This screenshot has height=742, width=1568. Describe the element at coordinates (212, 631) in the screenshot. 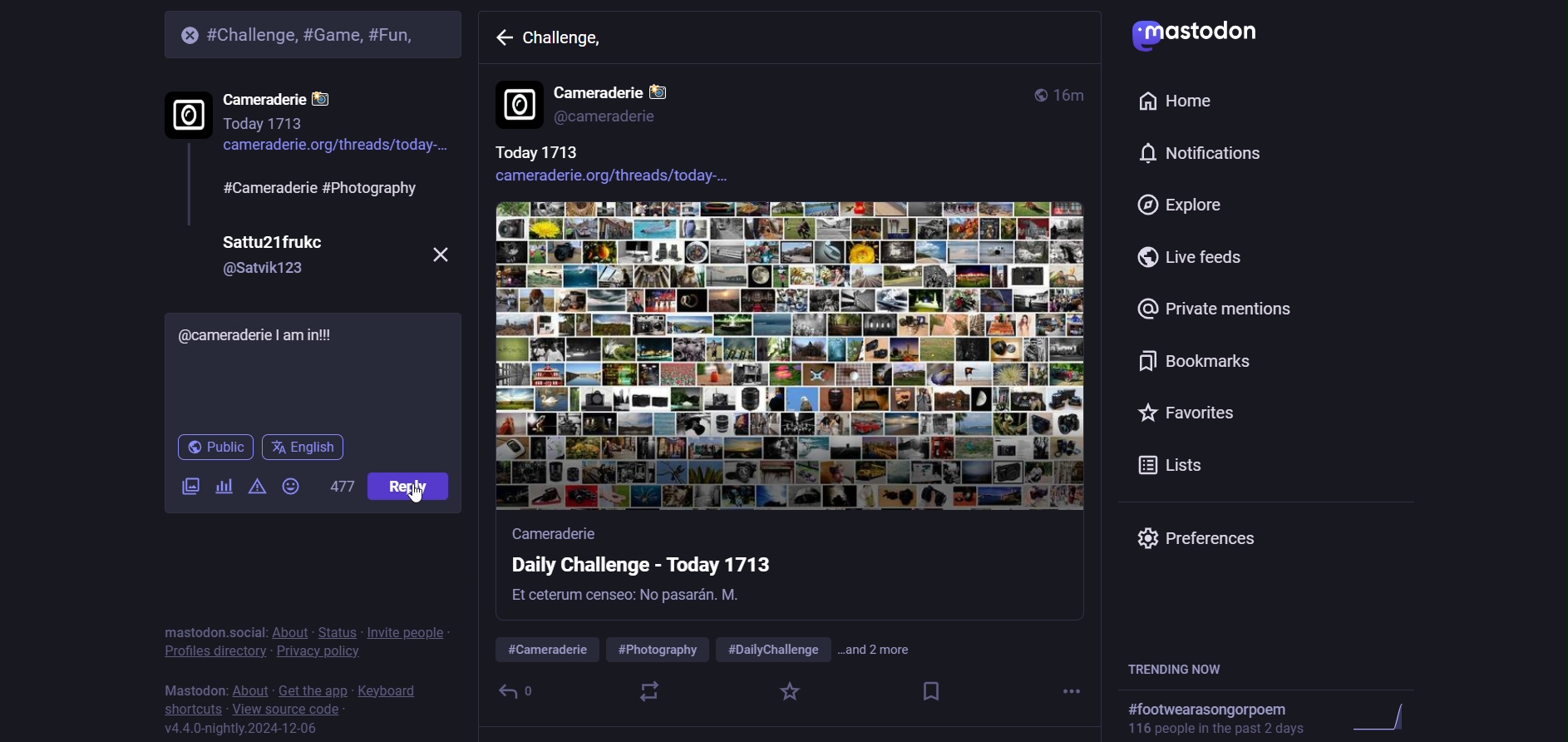

I see `mastodon social` at that location.